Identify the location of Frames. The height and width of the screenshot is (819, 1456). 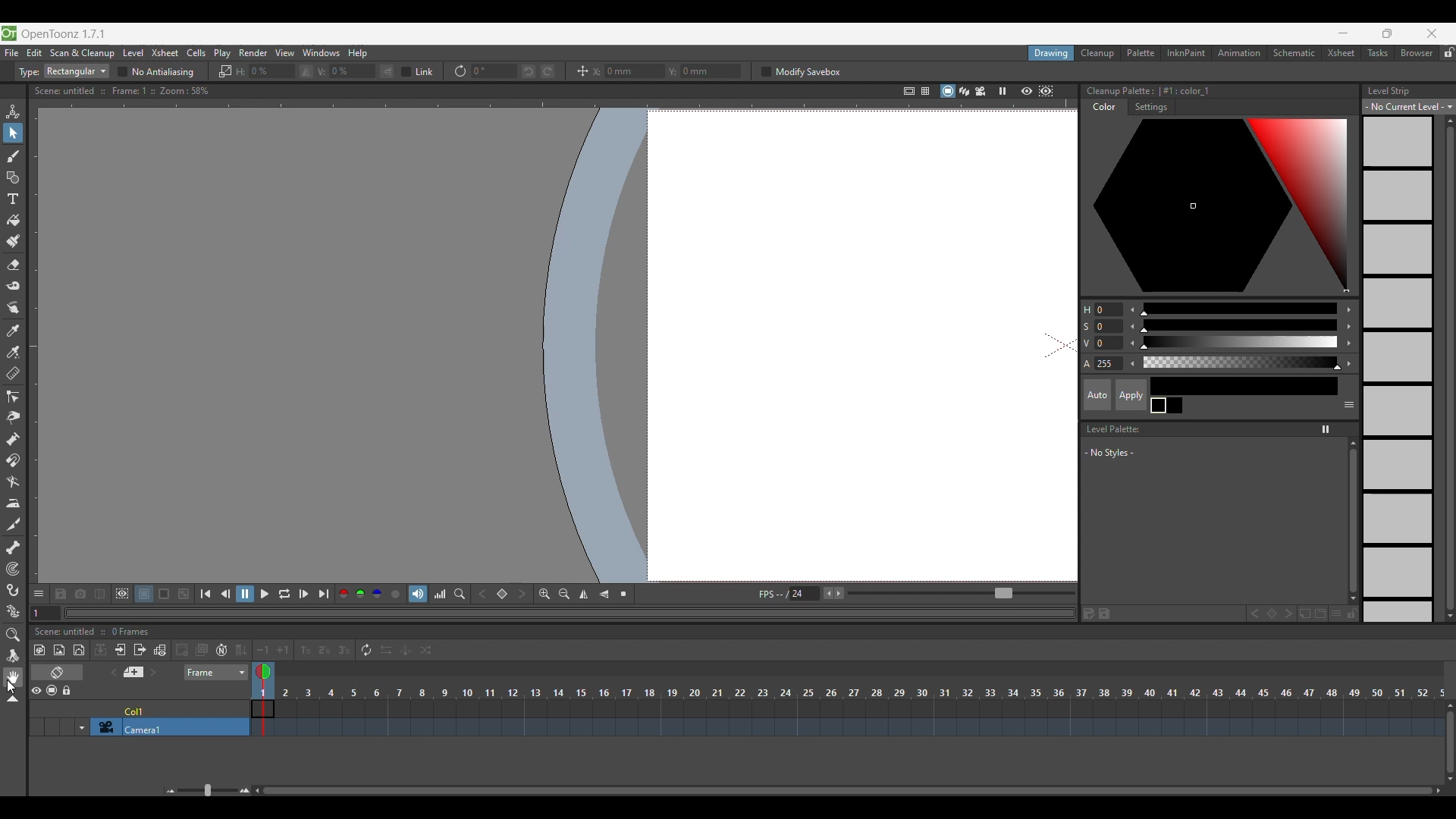
(847, 691).